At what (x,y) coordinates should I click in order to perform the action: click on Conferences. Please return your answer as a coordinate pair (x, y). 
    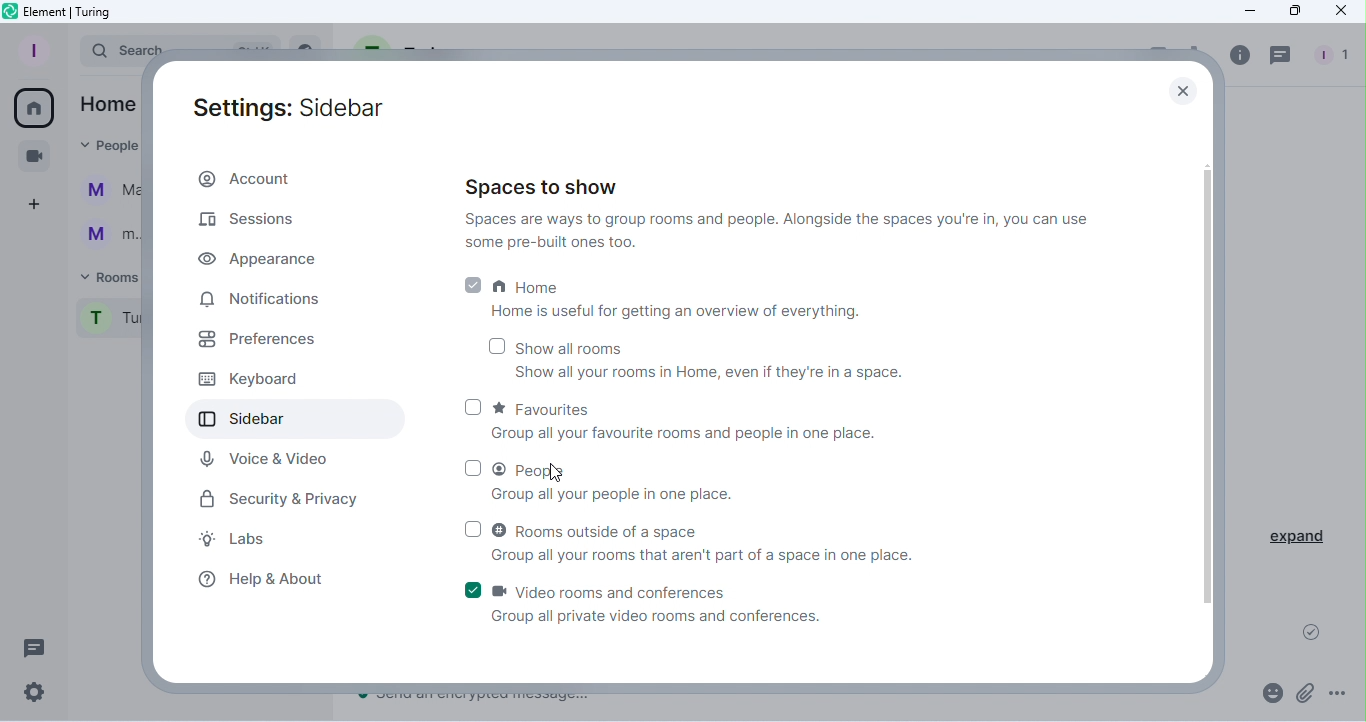
    Looking at the image, I should click on (33, 154).